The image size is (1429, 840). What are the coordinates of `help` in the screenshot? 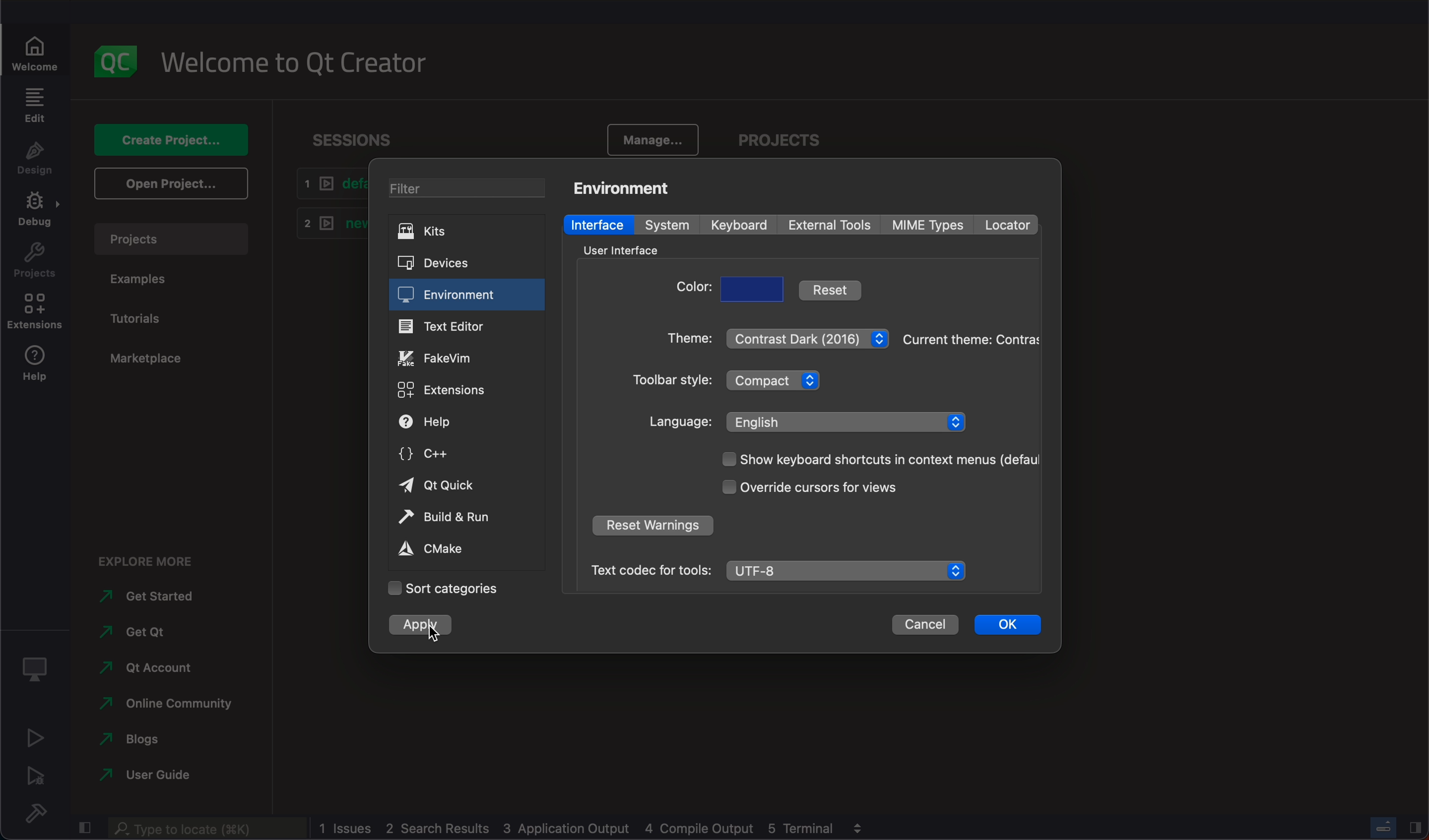 It's located at (467, 420).